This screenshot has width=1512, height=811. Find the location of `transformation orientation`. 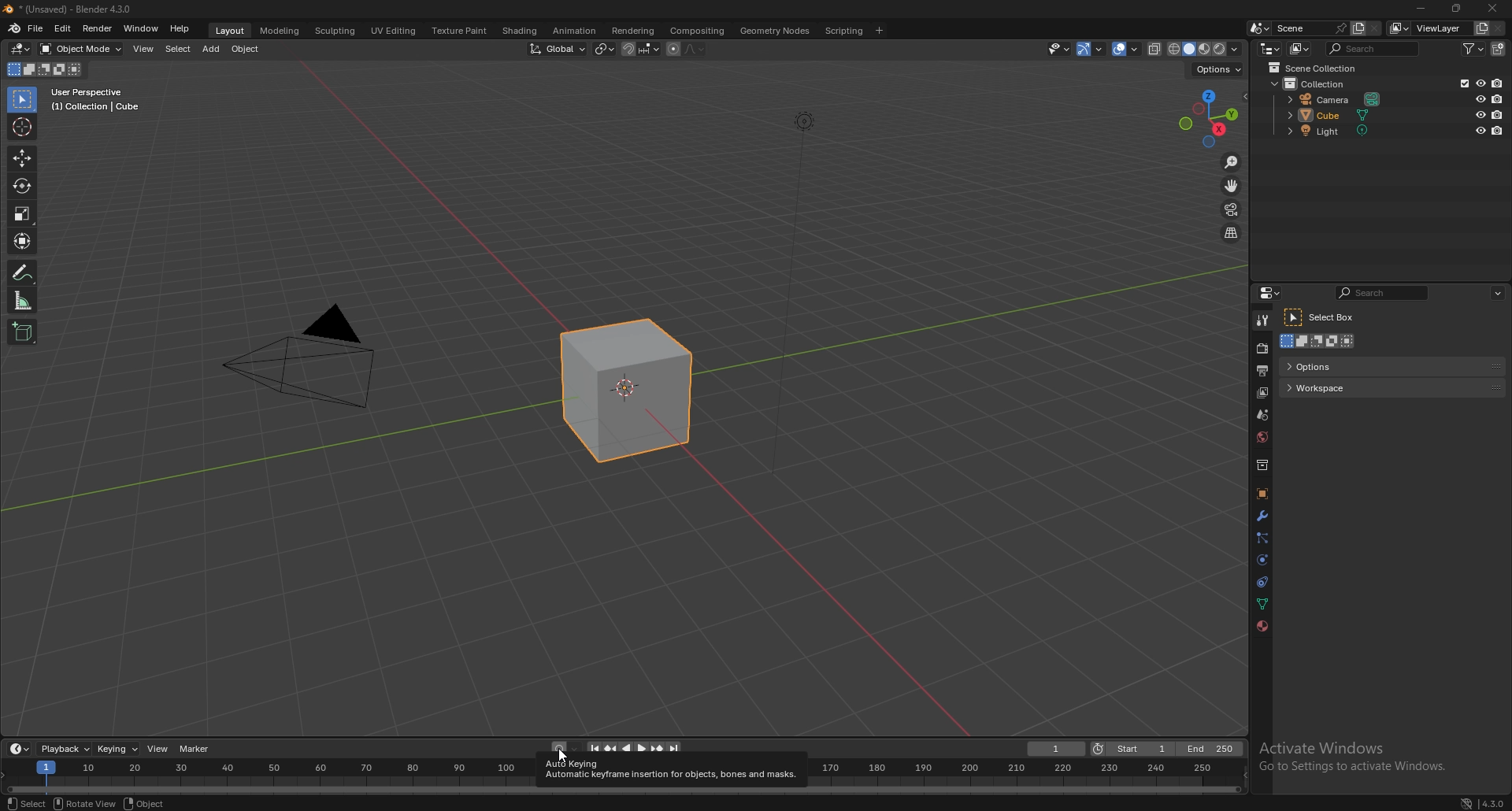

transformation orientation is located at coordinates (558, 48).